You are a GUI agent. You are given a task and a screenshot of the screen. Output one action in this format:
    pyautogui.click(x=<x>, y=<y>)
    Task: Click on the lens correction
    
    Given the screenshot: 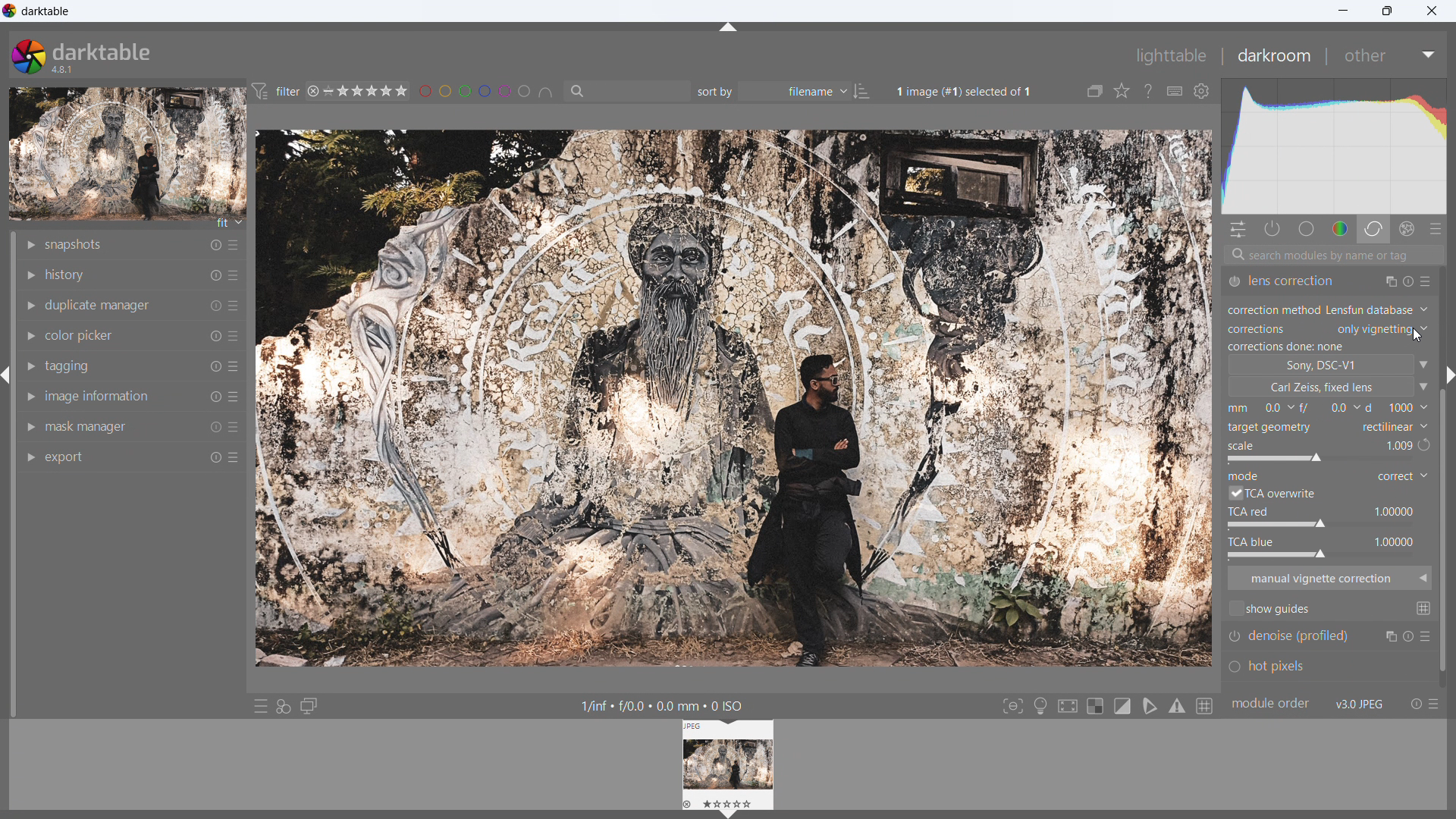 What is the action you would take?
    pyautogui.click(x=1330, y=284)
    